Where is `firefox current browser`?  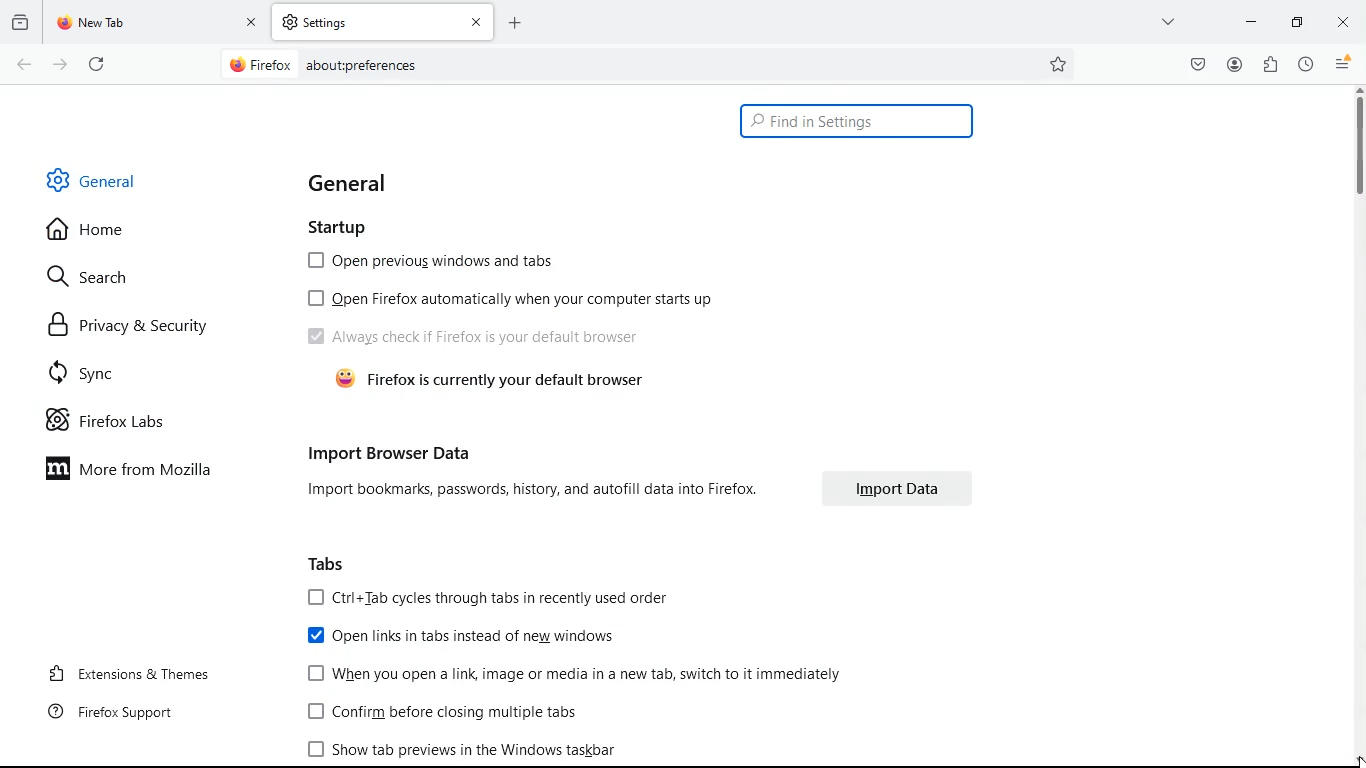
firefox current browser is located at coordinates (489, 382).